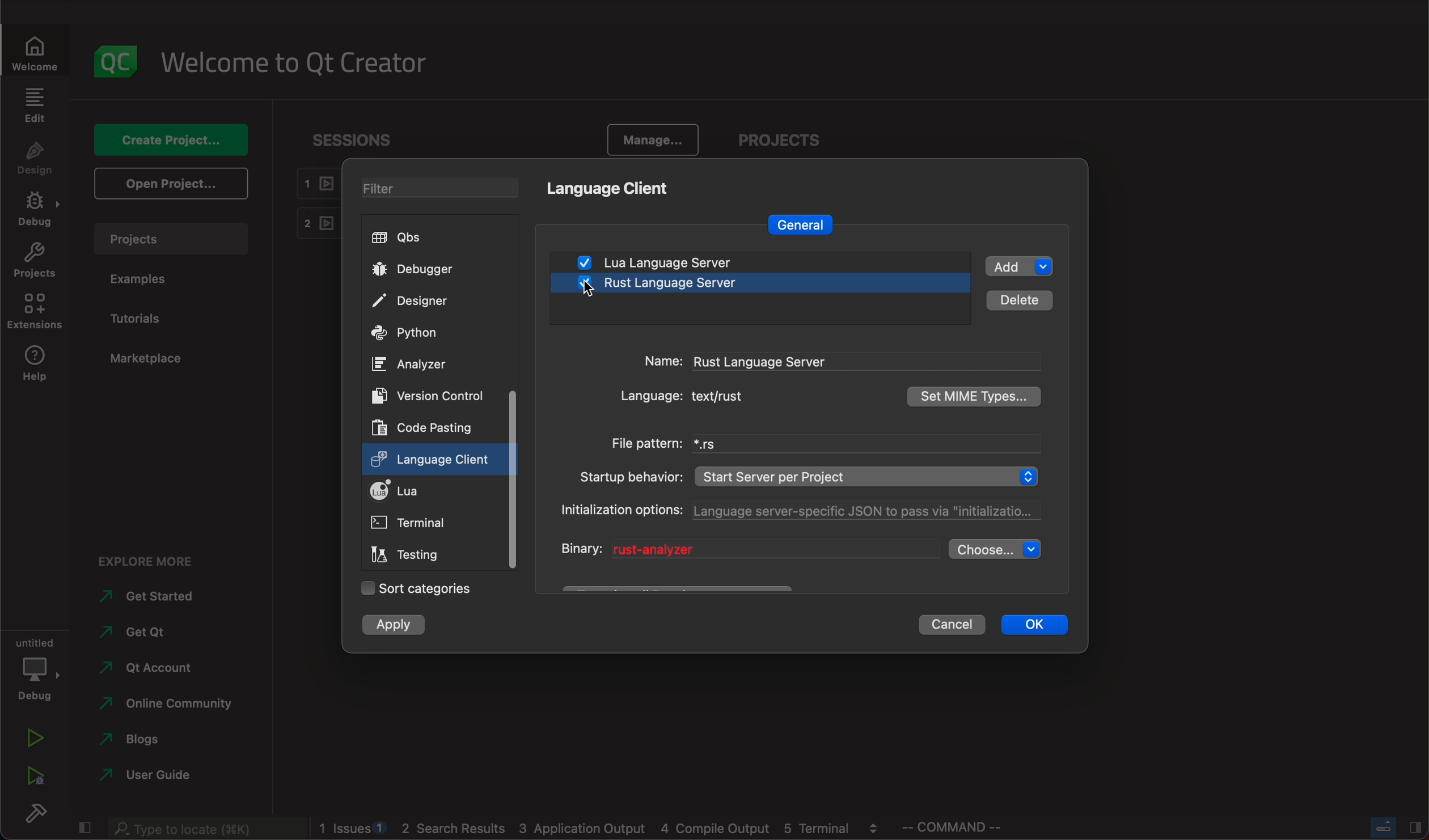 The height and width of the screenshot is (840, 1429). Describe the element at coordinates (293, 63) in the screenshot. I see `welcome` at that location.